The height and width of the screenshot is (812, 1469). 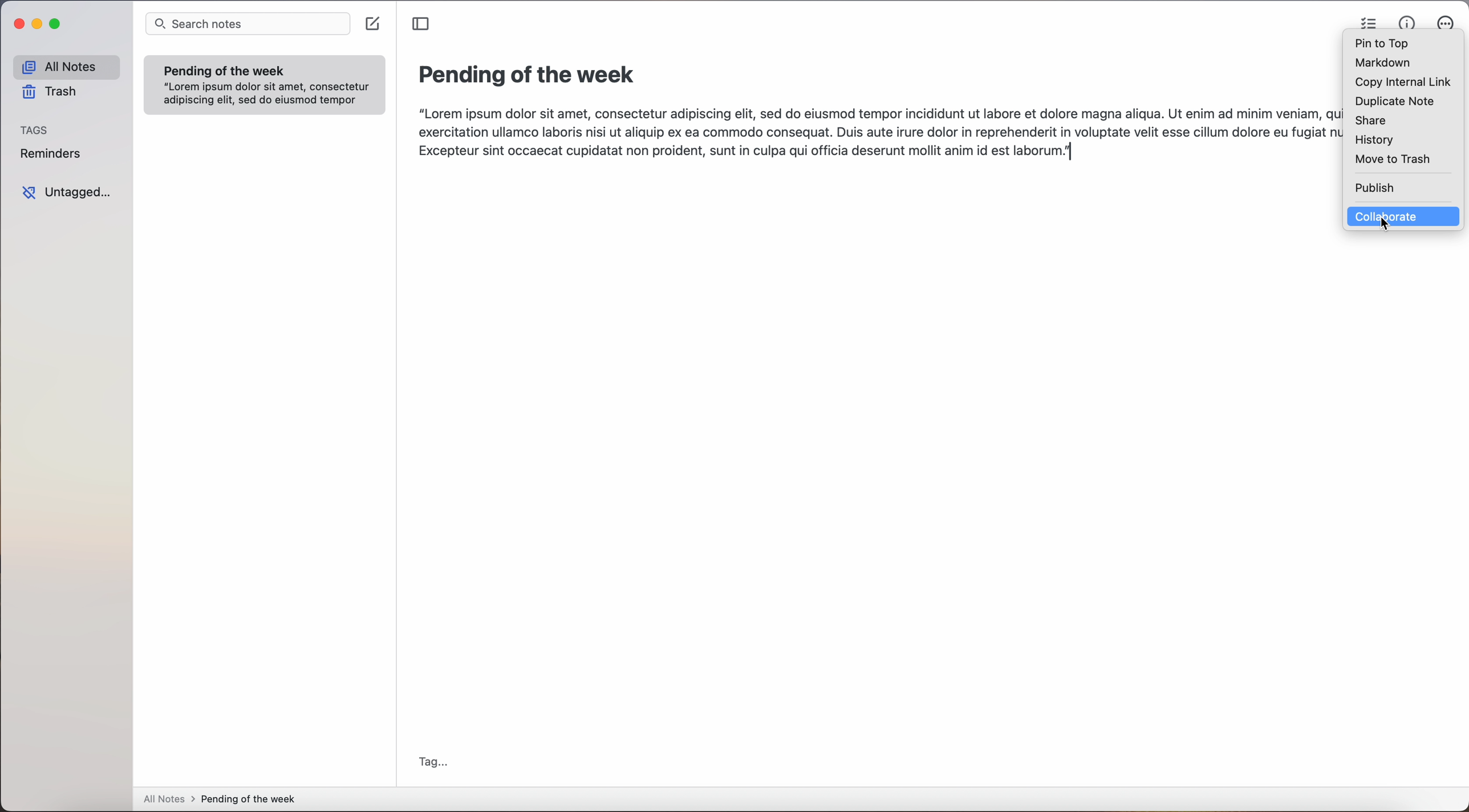 I want to click on all notes > pending of the week, so click(x=224, y=800).